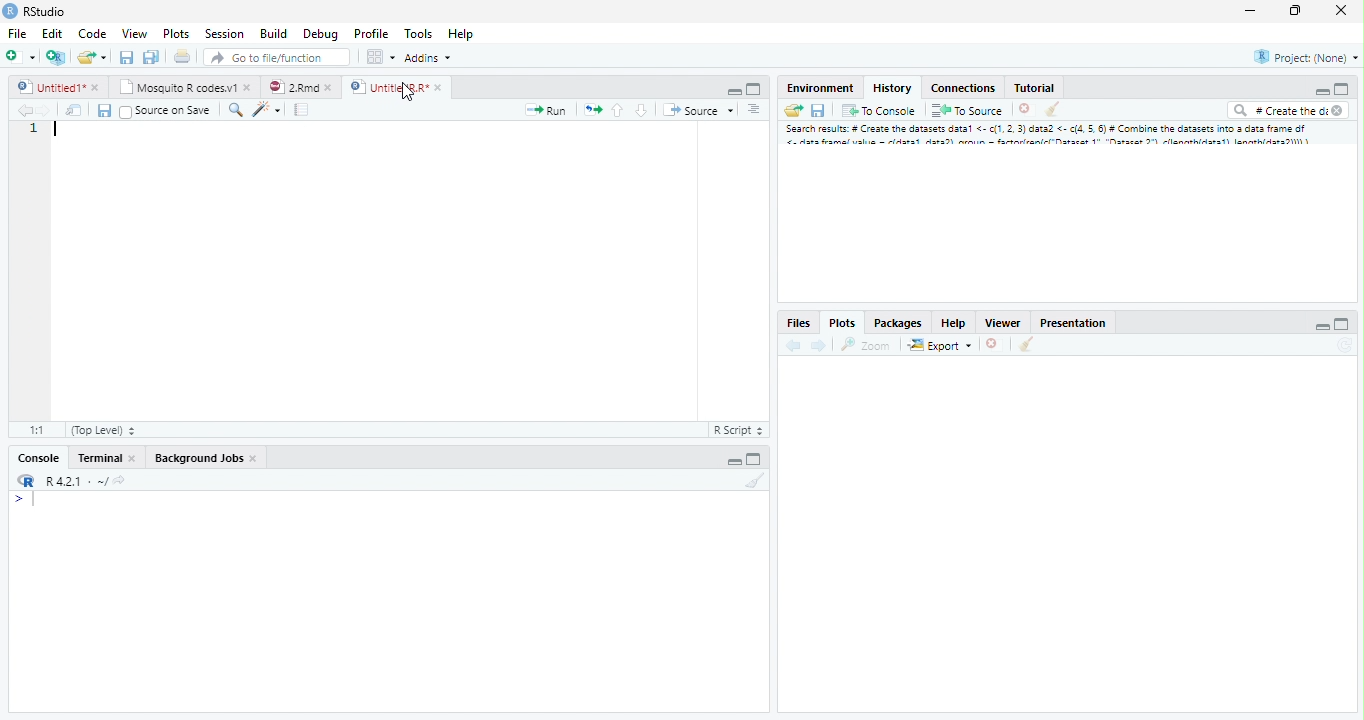 The width and height of the screenshot is (1364, 720). I want to click on Delete , so click(992, 342).